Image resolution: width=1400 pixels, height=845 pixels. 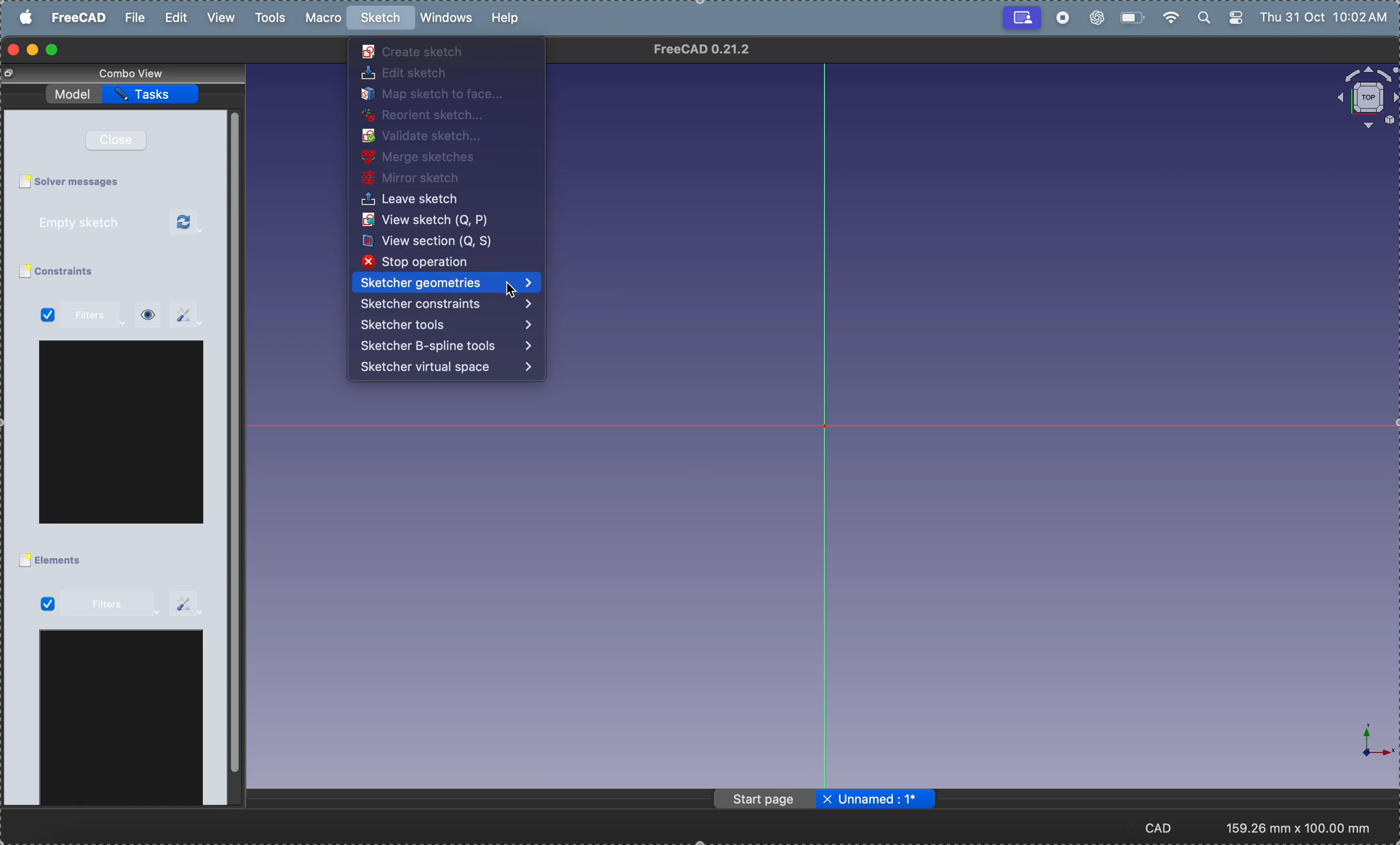 What do you see at coordinates (507, 17) in the screenshot?
I see `help` at bounding box center [507, 17].